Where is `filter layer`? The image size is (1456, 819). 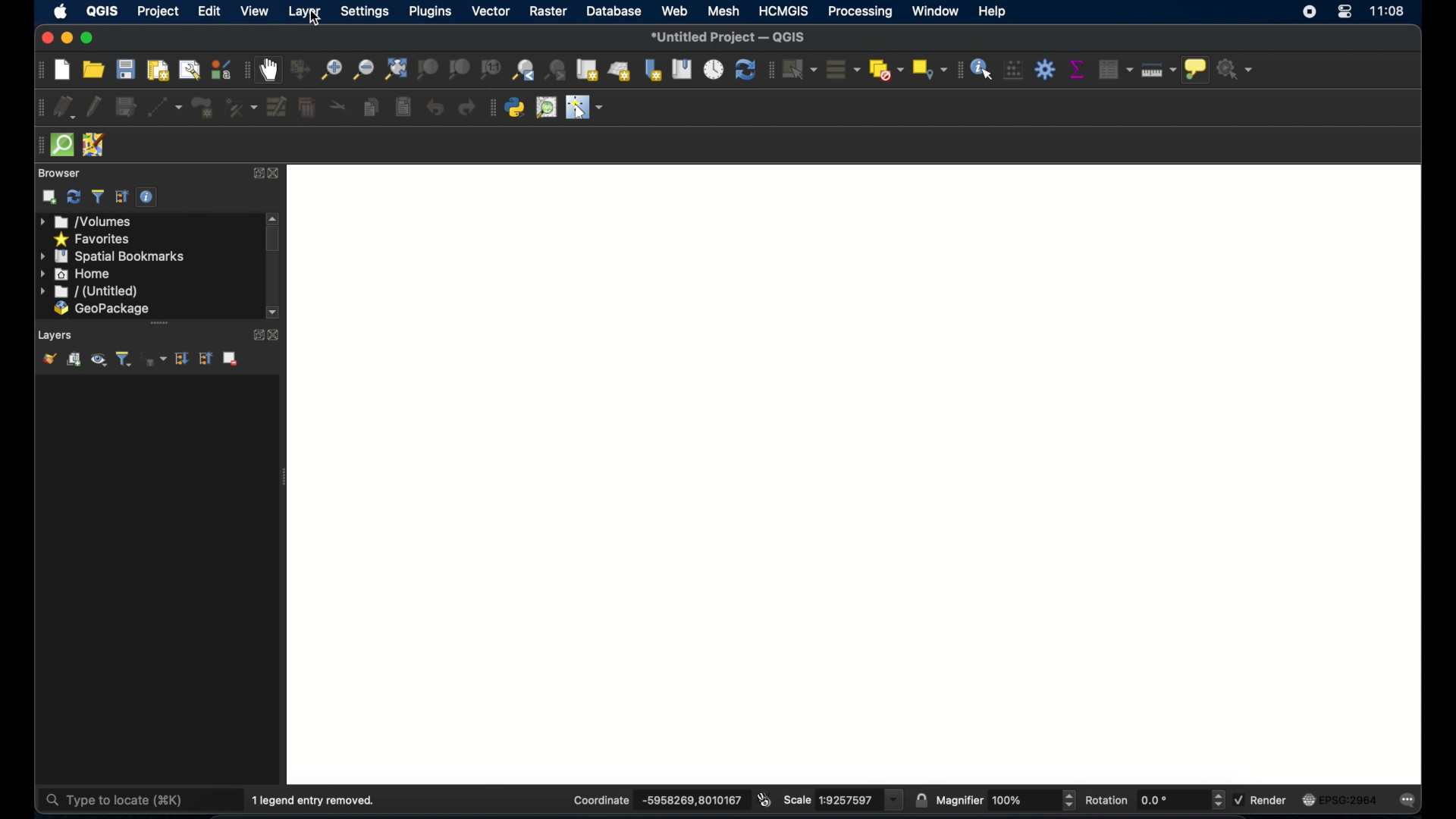
filter layer is located at coordinates (124, 359).